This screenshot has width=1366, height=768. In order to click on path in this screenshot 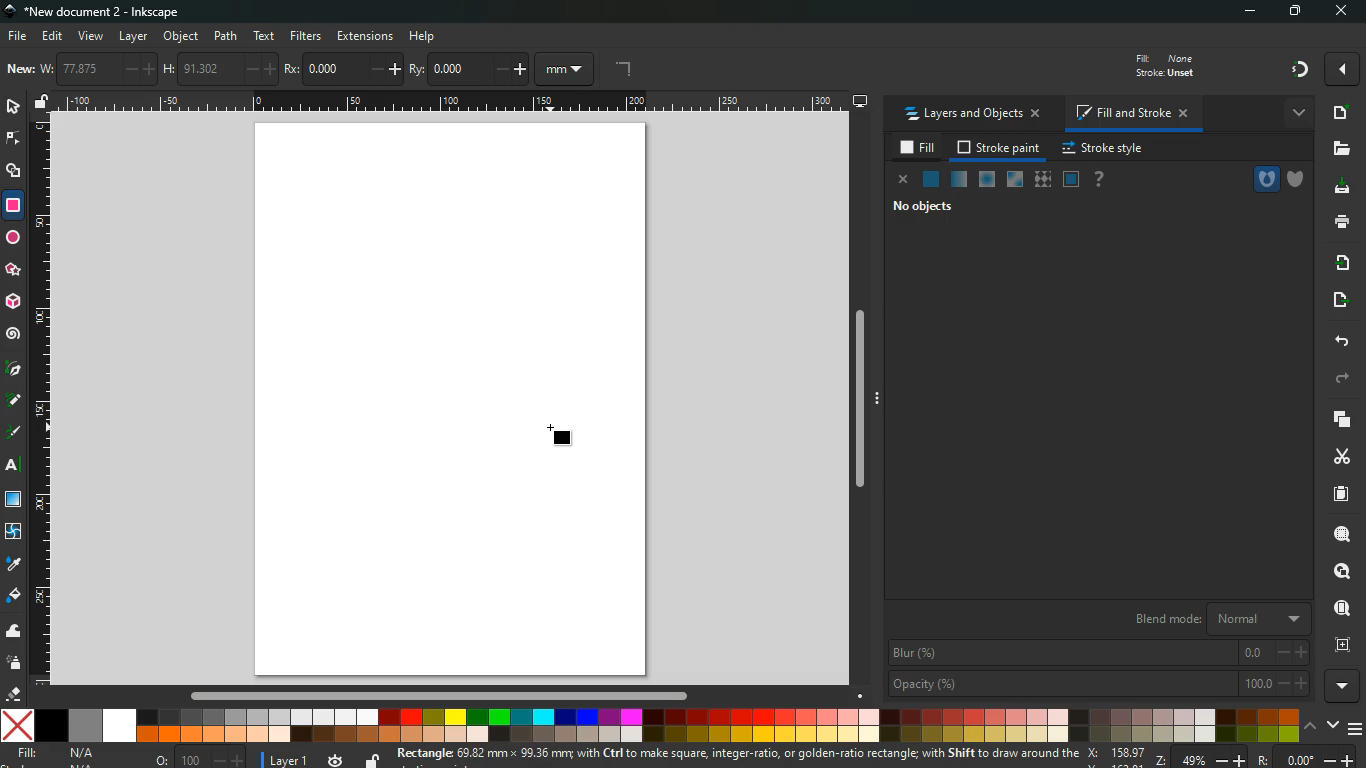, I will do `click(228, 34)`.